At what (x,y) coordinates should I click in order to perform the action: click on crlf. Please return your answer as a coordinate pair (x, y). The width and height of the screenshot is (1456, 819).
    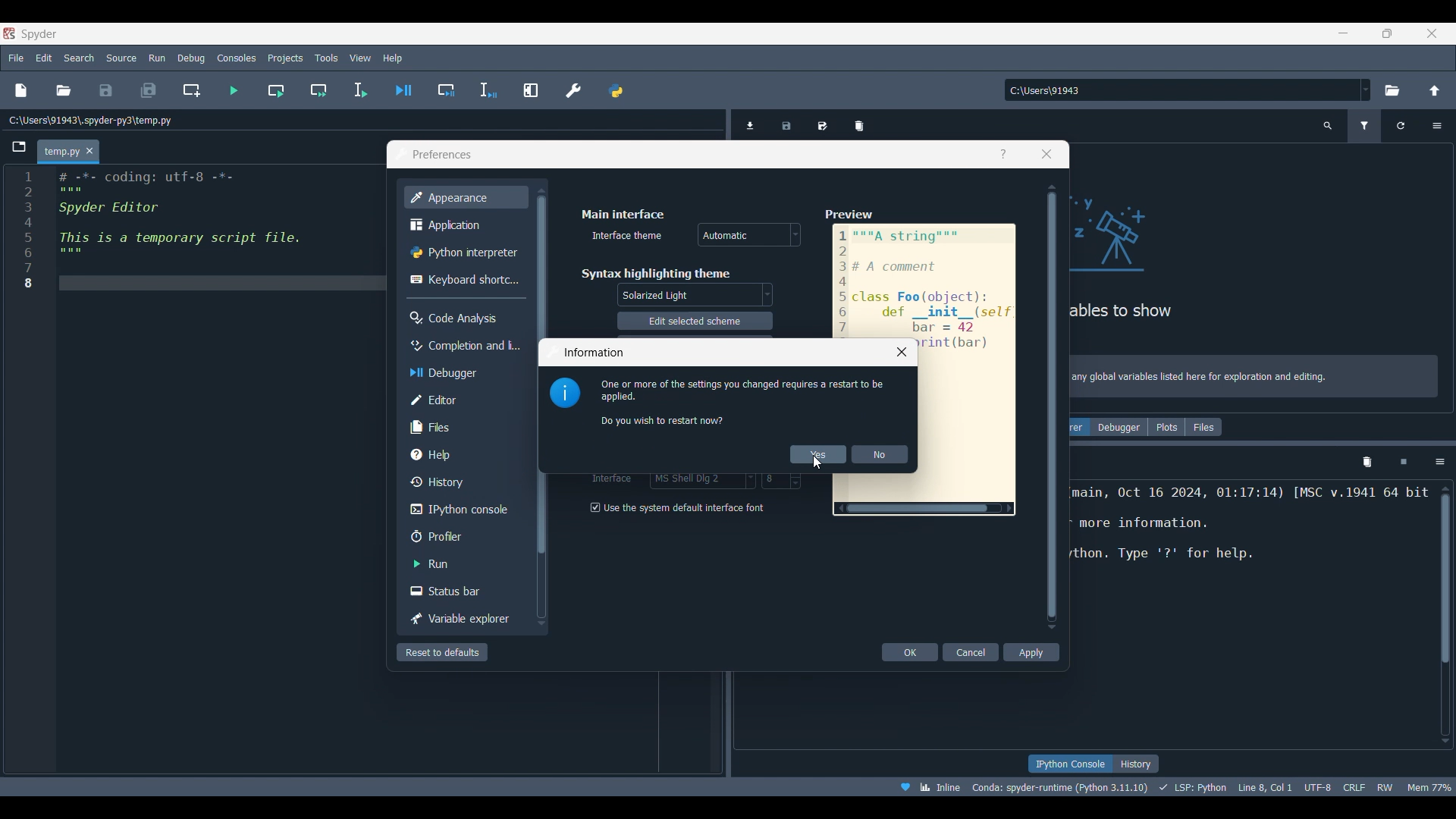
    Looking at the image, I should click on (1352, 787).